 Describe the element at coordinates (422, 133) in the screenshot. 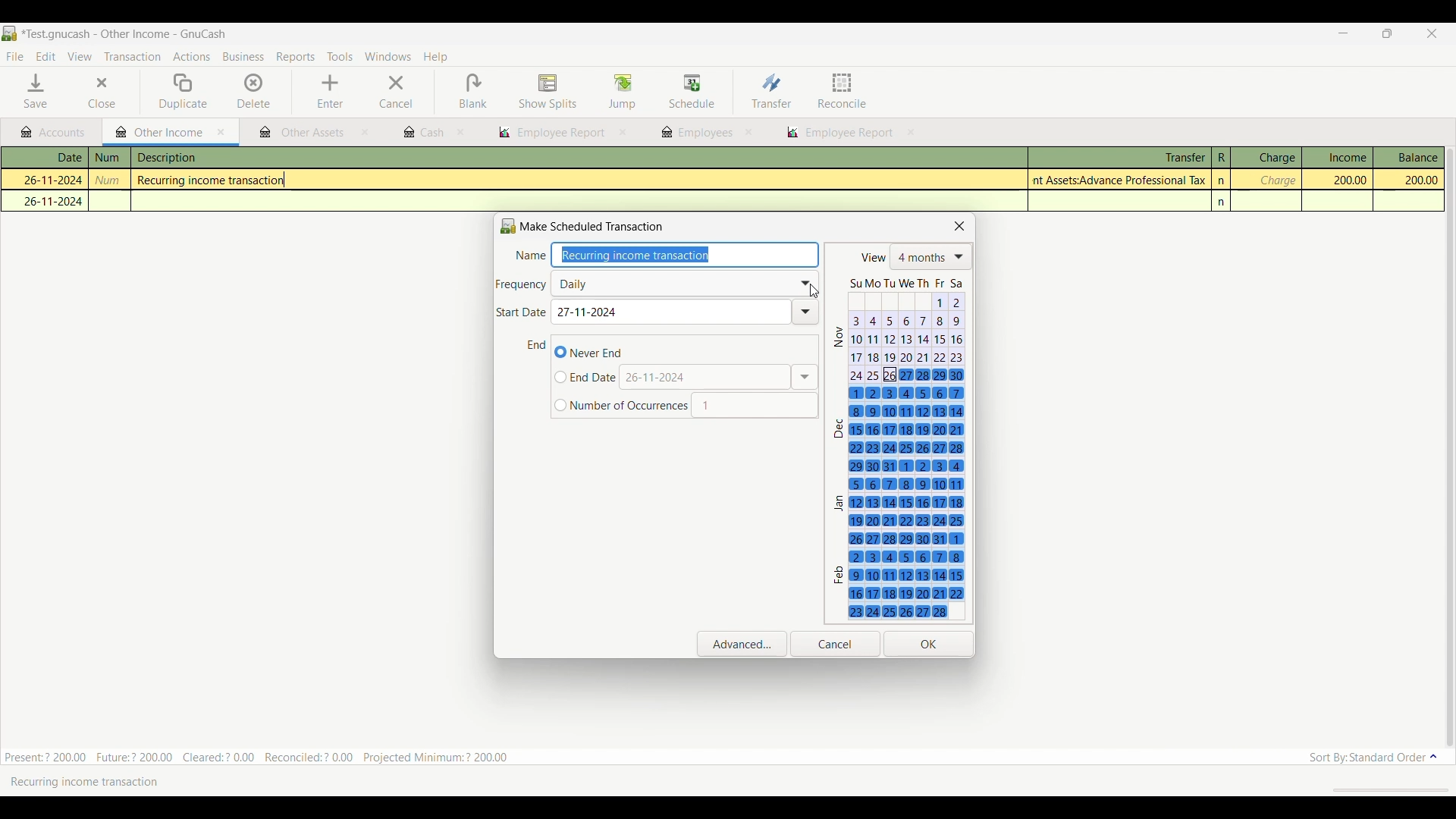

I see `cash` at that location.